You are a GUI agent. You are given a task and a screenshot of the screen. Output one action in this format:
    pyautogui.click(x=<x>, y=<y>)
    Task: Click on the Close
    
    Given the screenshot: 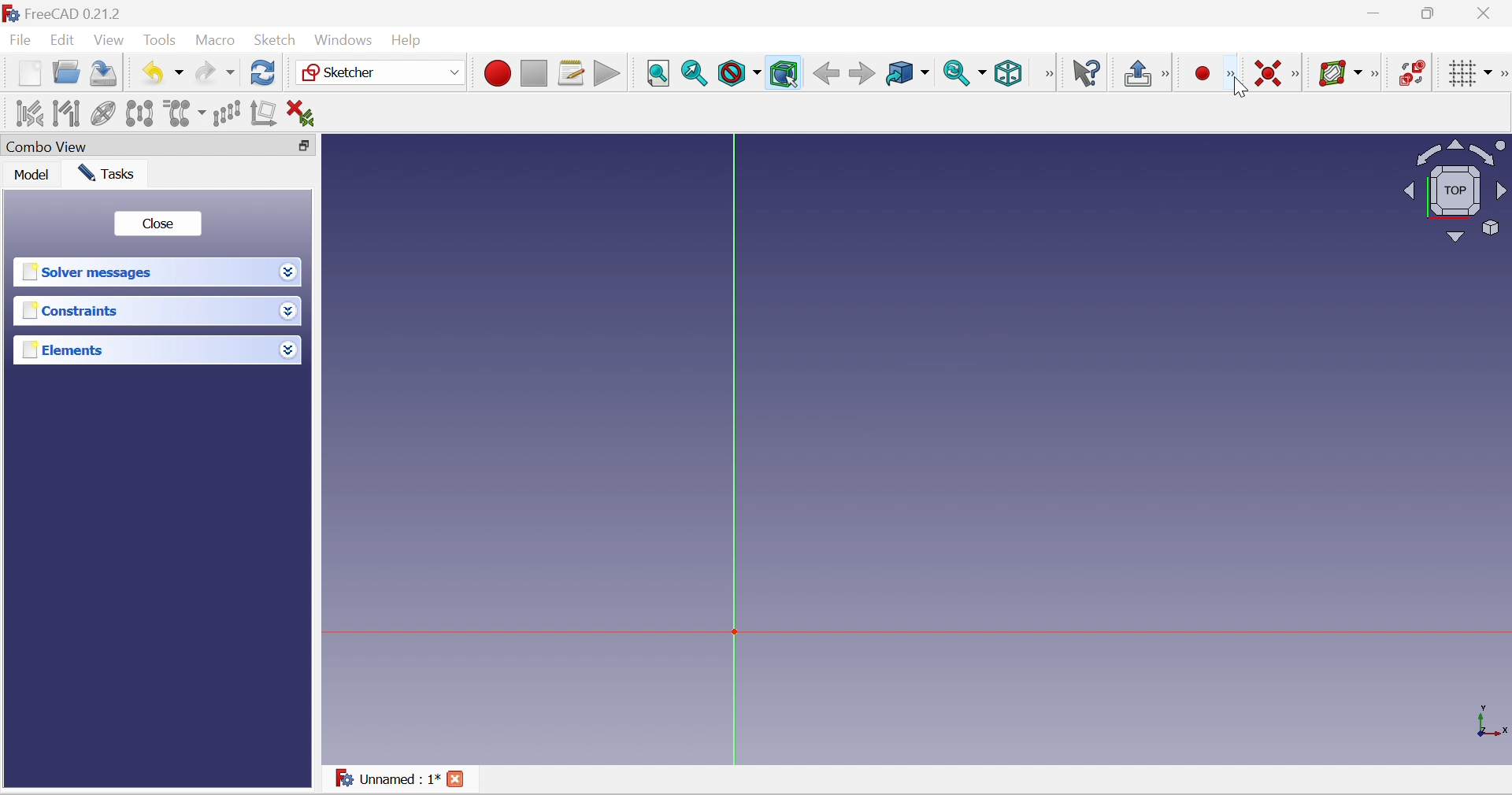 What is the action you would take?
    pyautogui.click(x=1488, y=12)
    